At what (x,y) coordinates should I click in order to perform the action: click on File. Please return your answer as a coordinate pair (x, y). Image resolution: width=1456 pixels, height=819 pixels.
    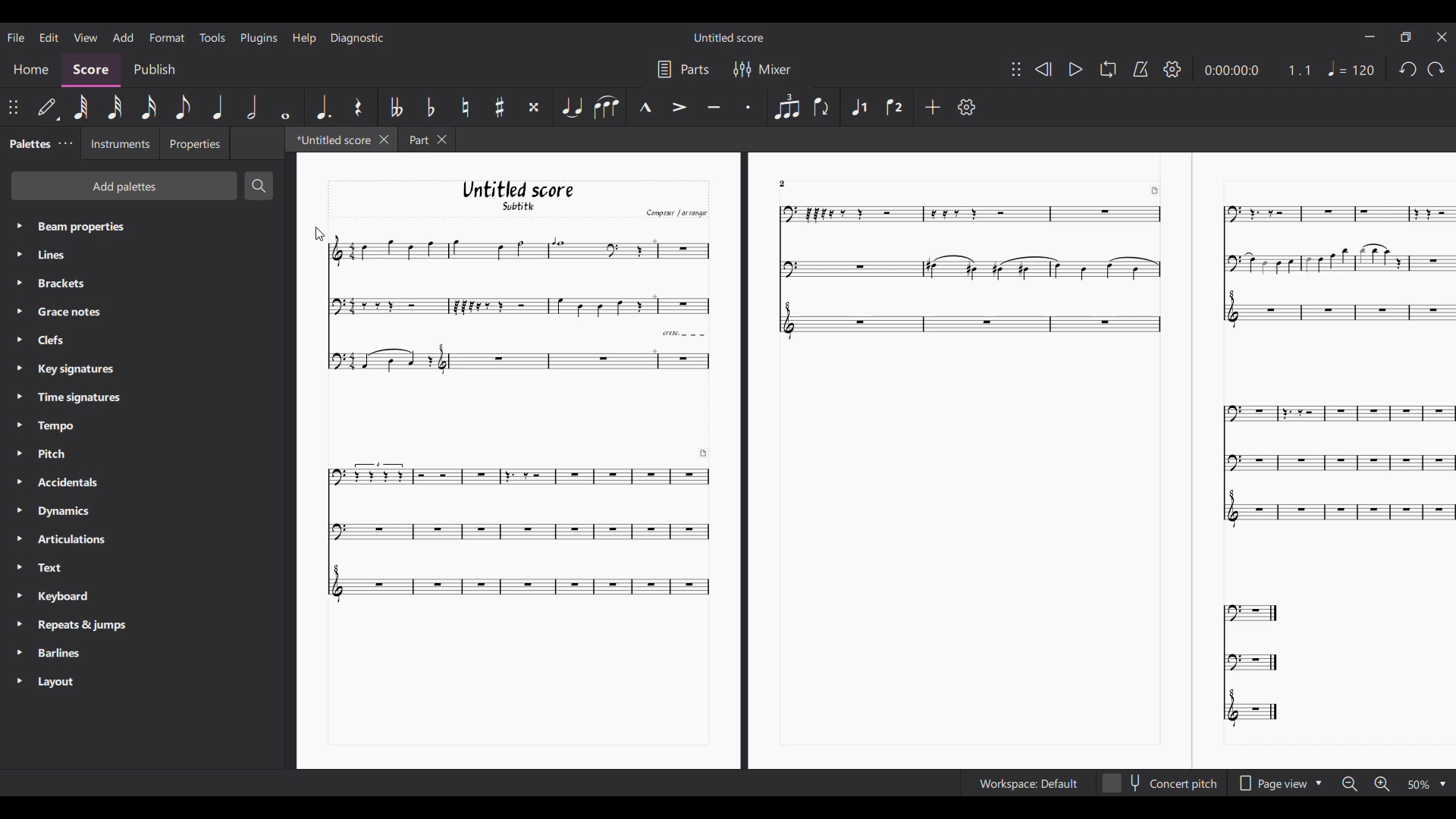
    Looking at the image, I should click on (16, 36).